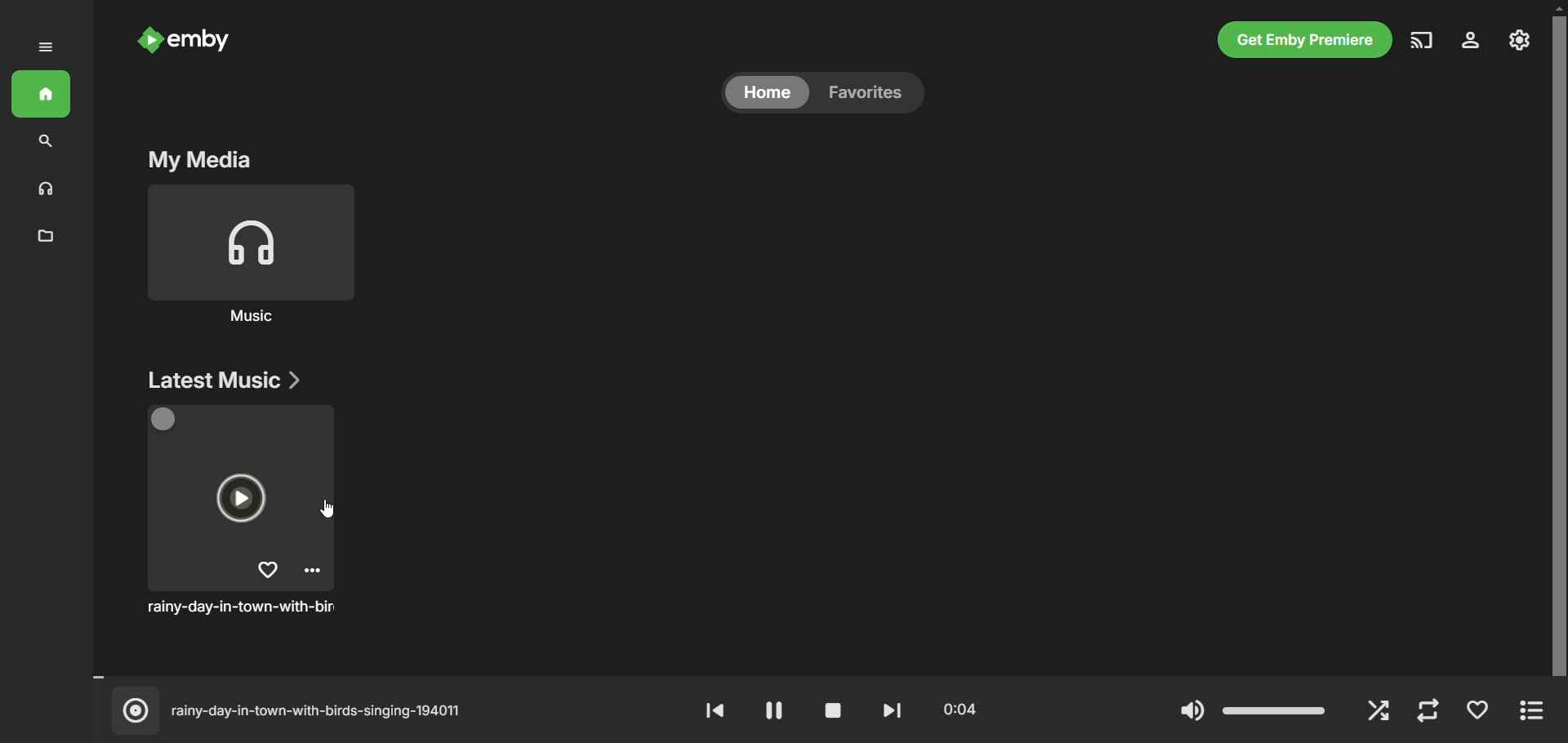  What do you see at coordinates (45, 91) in the screenshot?
I see `home` at bounding box center [45, 91].